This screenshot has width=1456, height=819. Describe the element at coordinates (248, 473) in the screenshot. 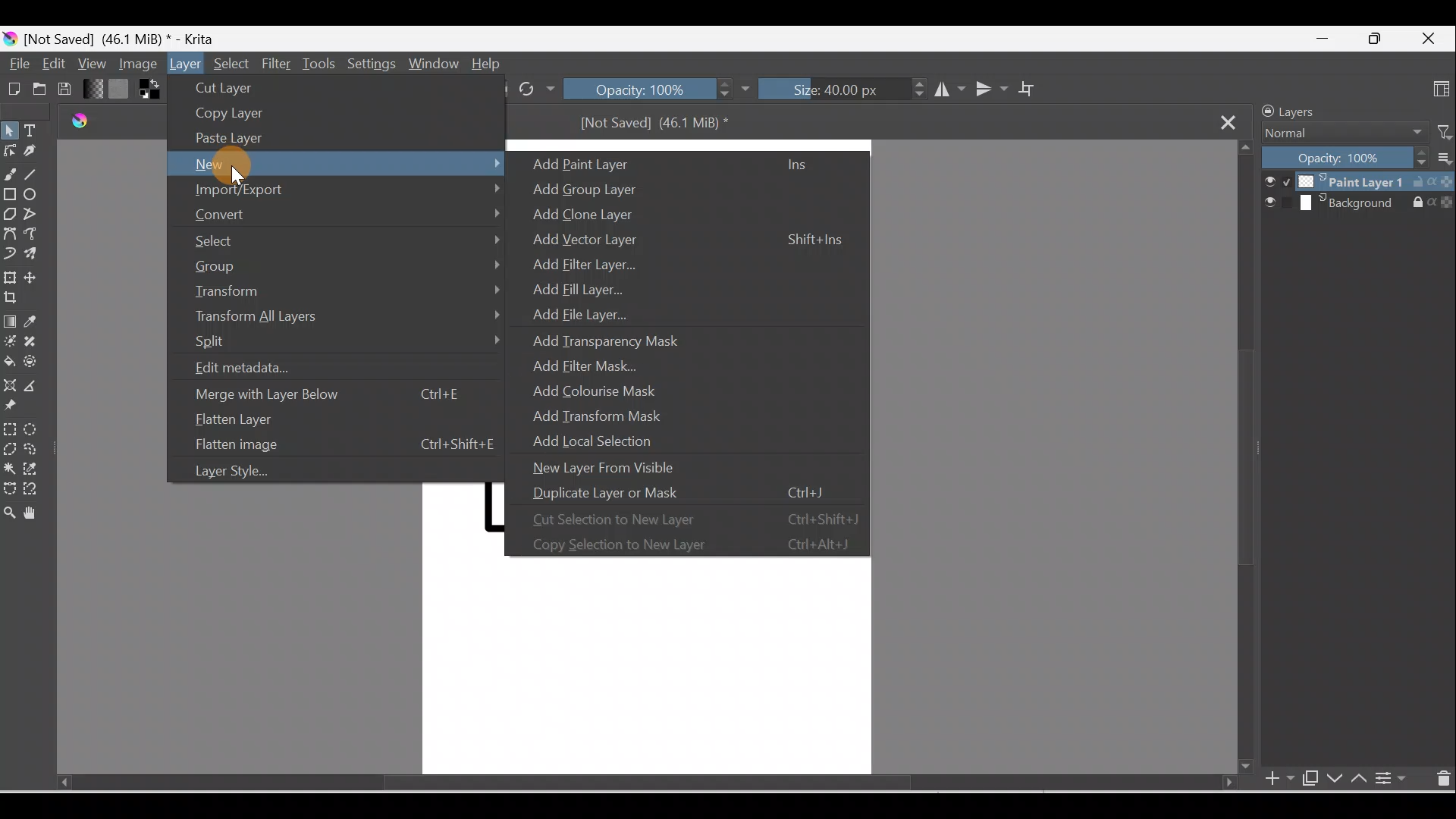

I see `Layer style` at that location.